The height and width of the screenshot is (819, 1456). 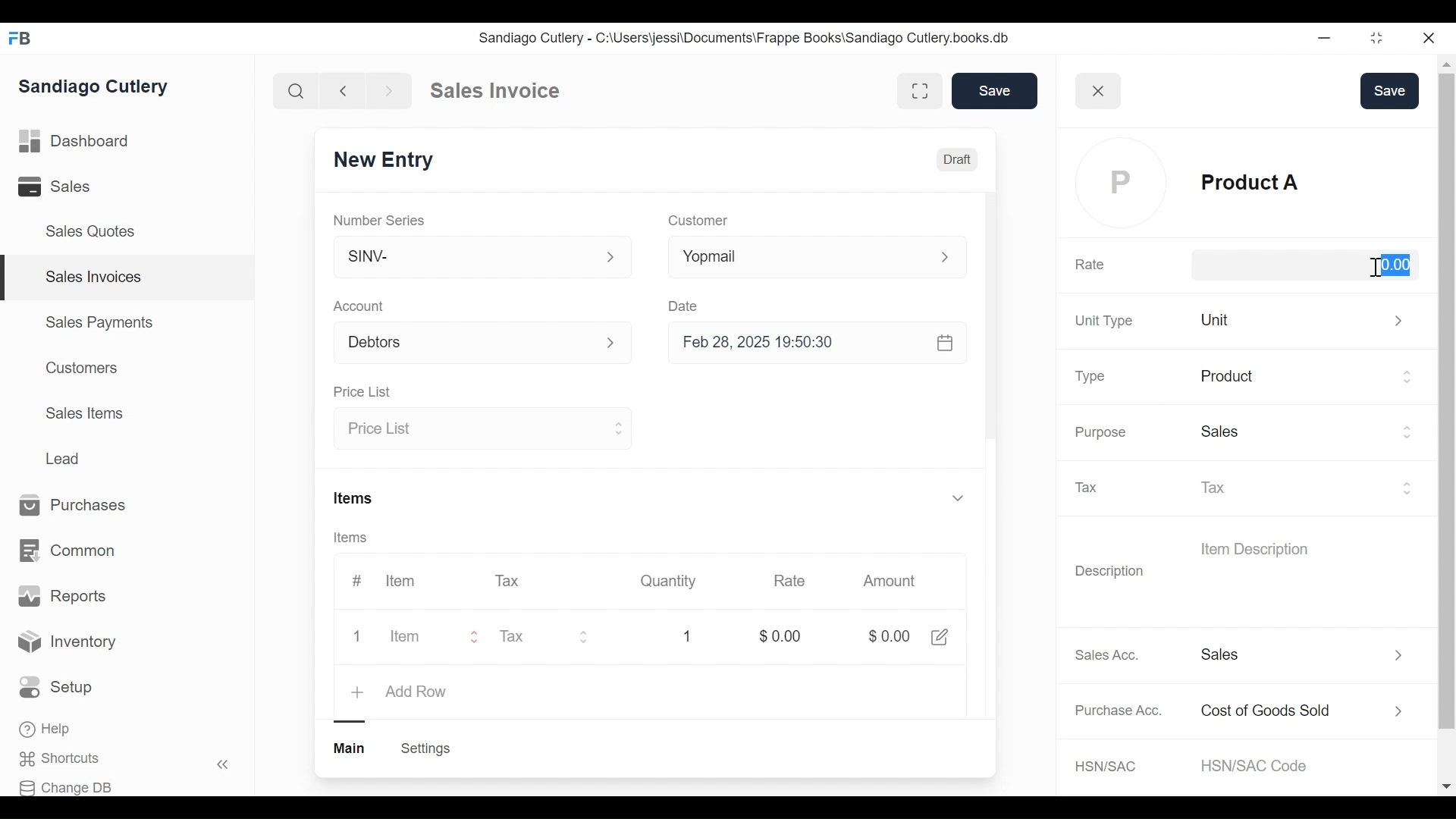 I want to click on Sales Invoices, so click(x=94, y=278).